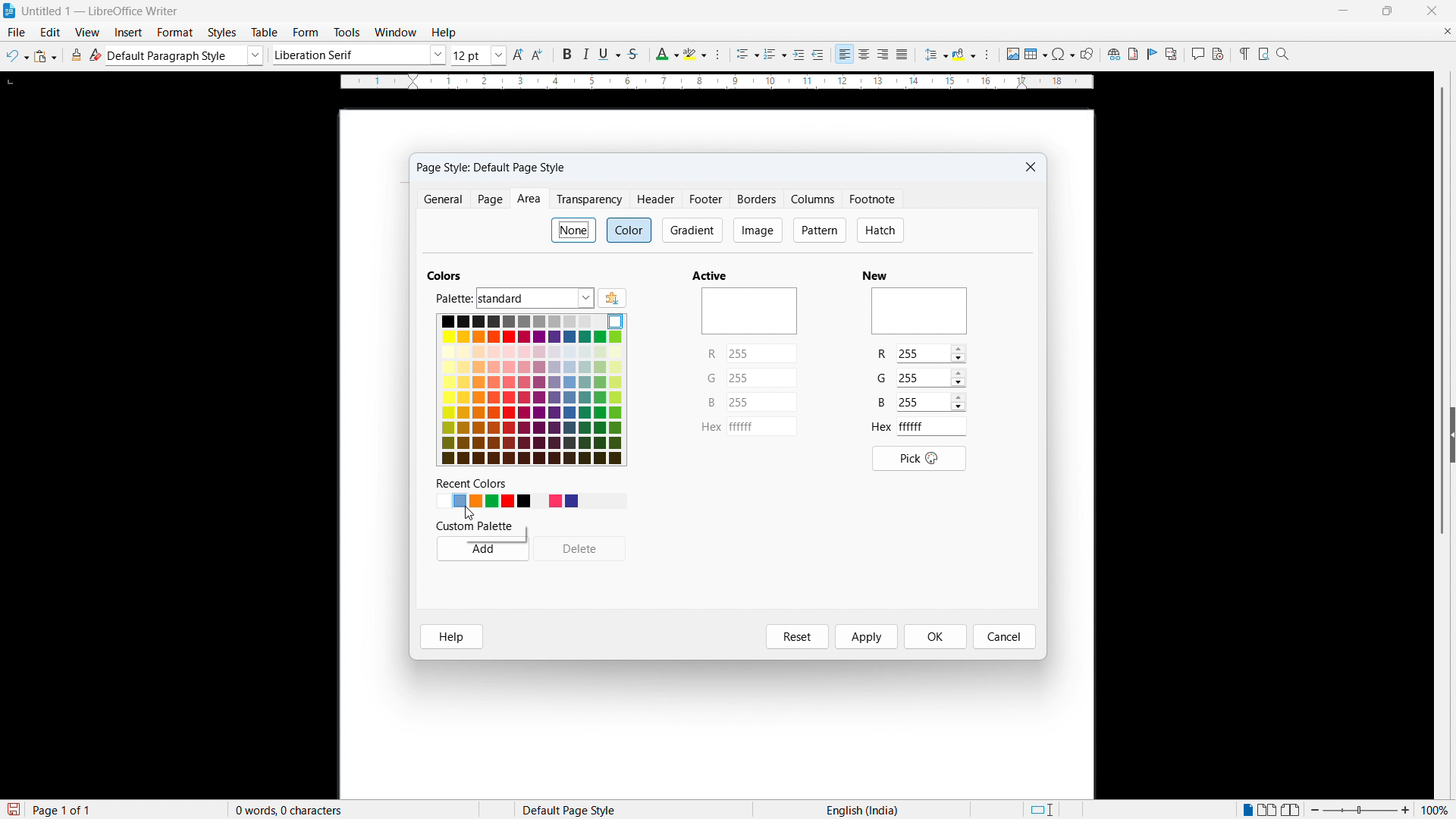  I want to click on Columns , so click(814, 199).